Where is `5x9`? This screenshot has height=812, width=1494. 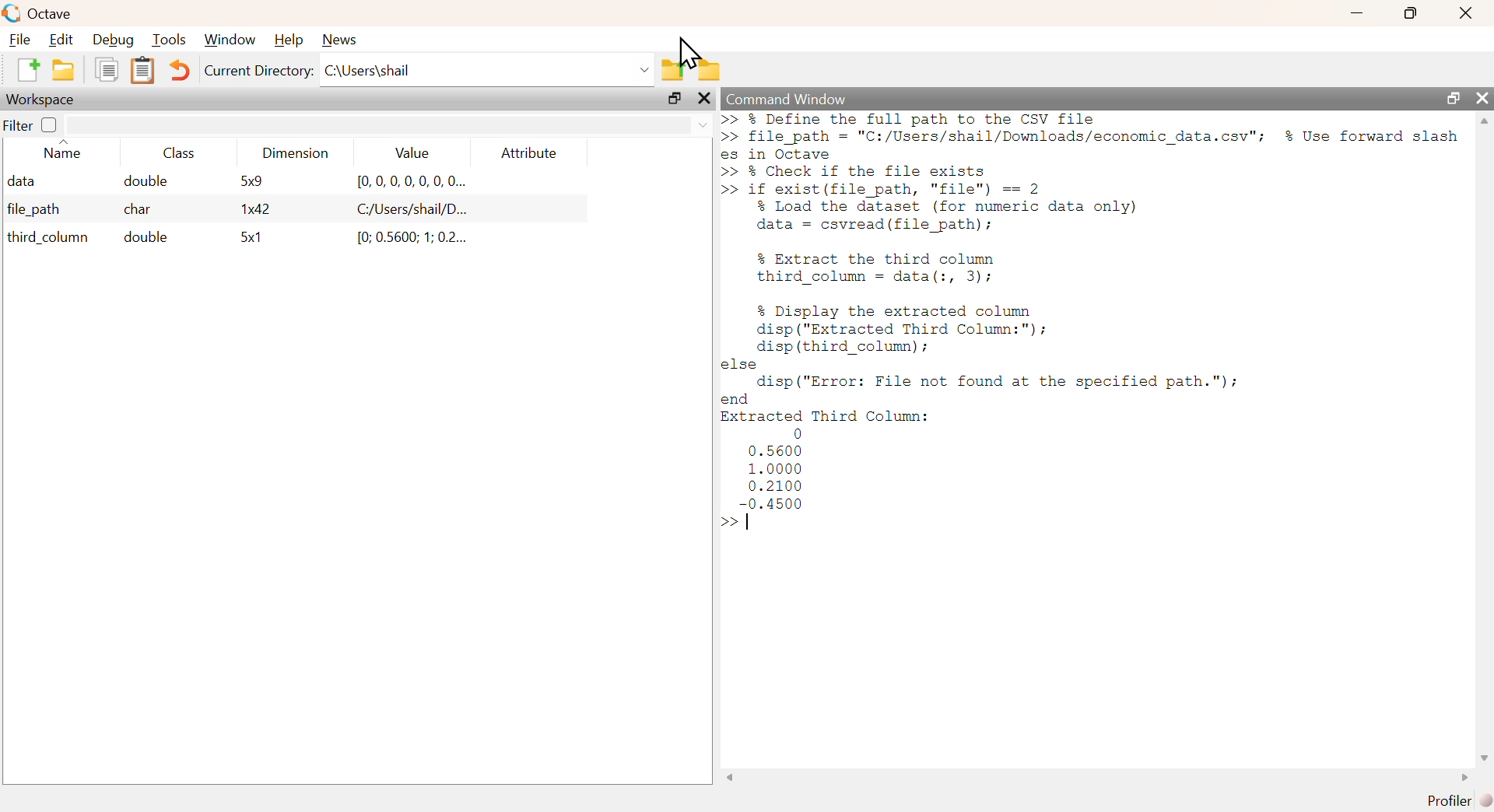 5x9 is located at coordinates (242, 184).